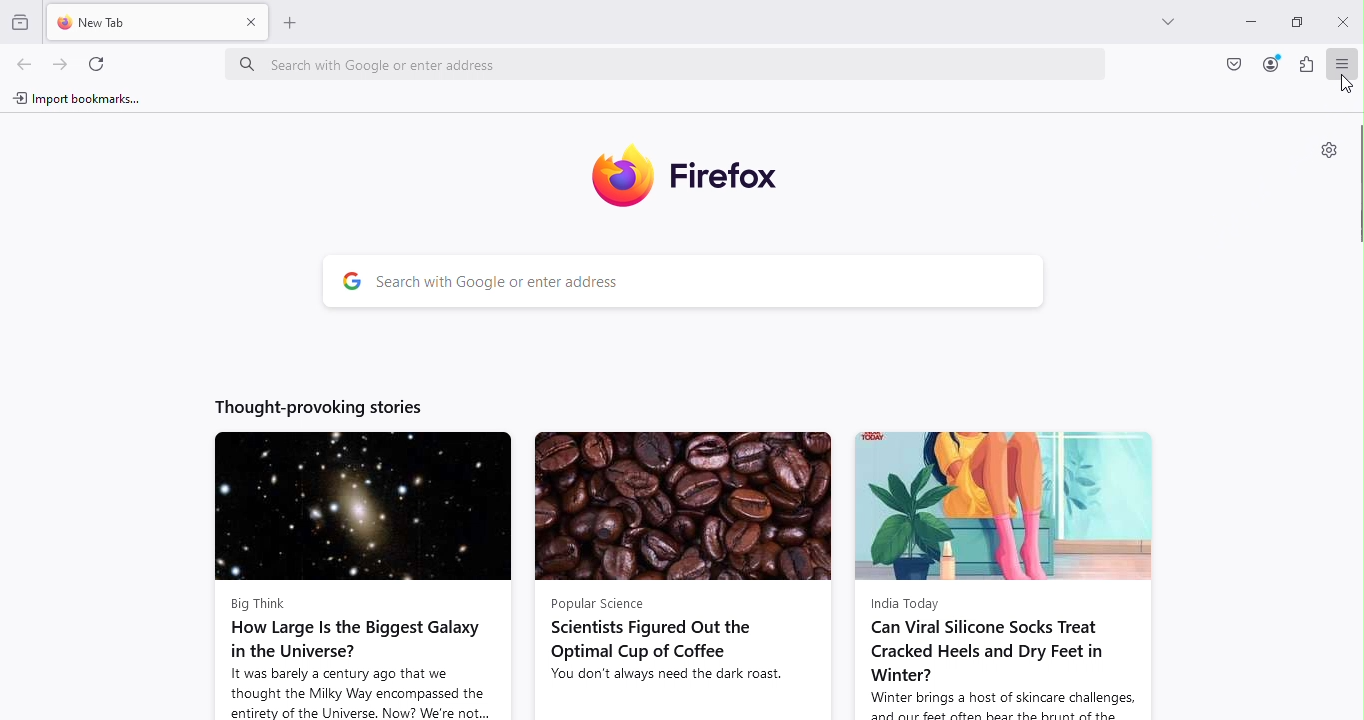 The width and height of the screenshot is (1364, 720). What do you see at coordinates (1294, 20) in the screenshot?
I see `Maximize` at bounding box center [1294, 20].